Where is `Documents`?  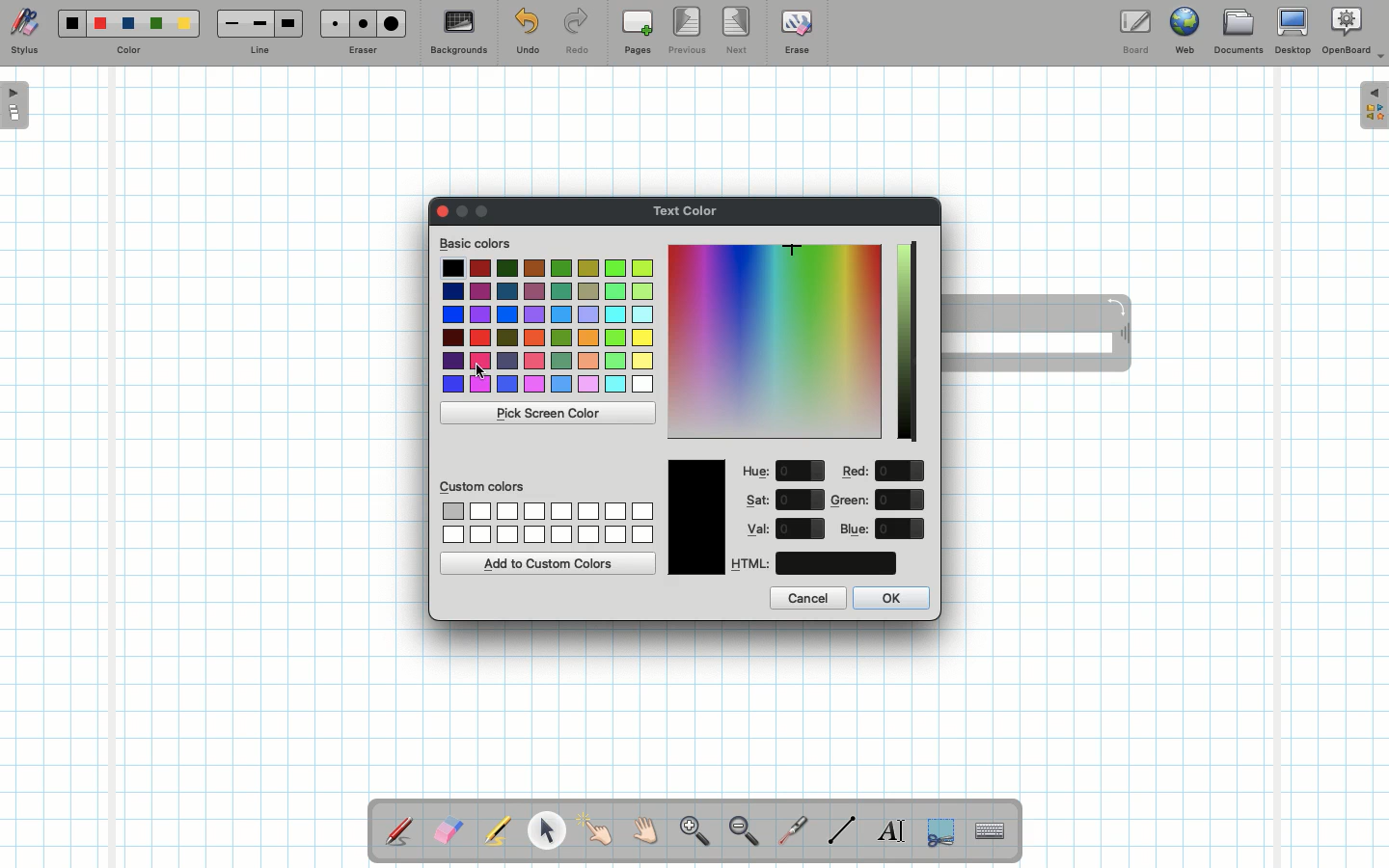 Documents is located at coordinates (1238, 34).